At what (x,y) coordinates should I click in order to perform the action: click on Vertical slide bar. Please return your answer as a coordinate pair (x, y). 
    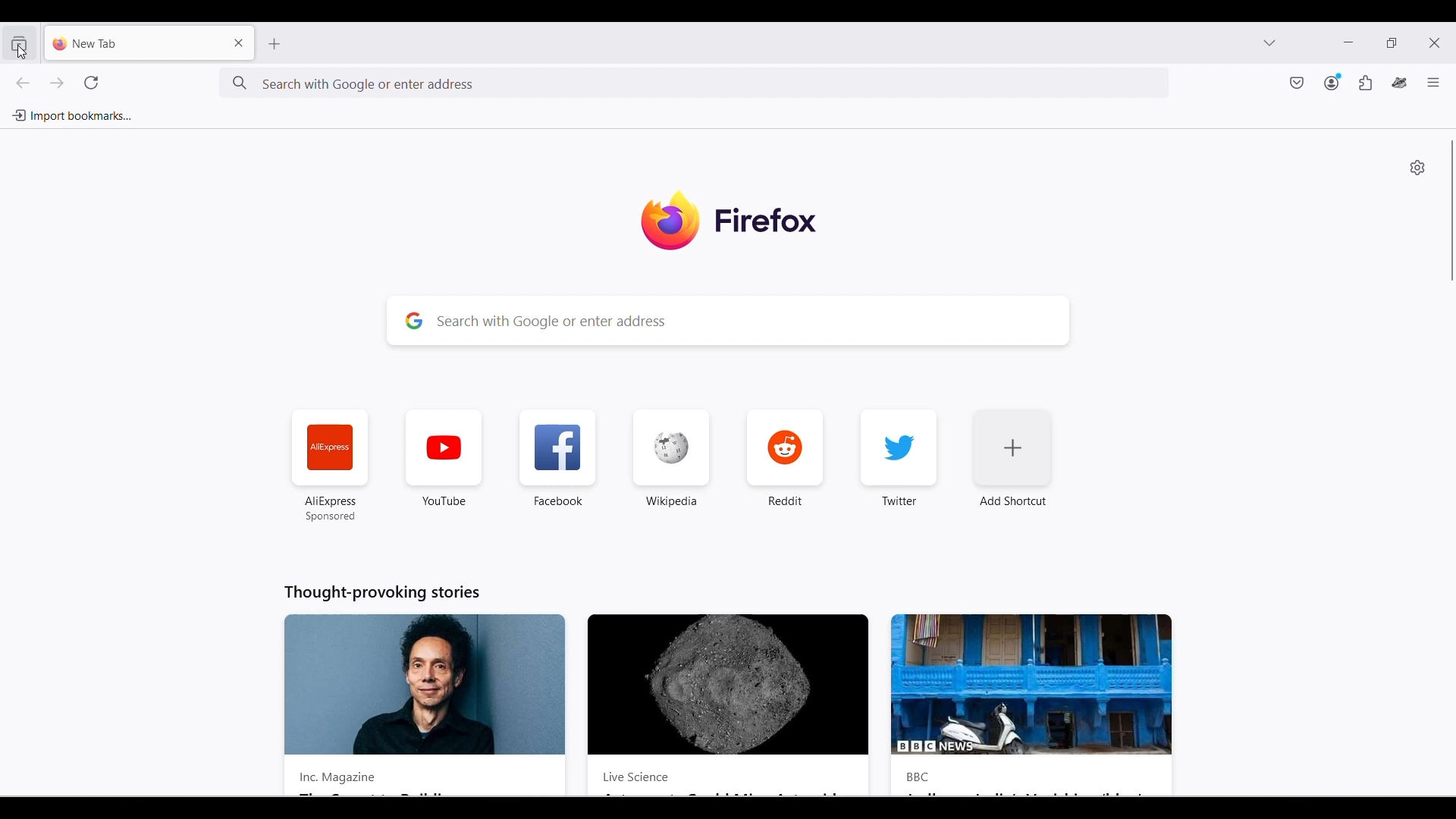
    Looking at the image, I should click on (1453, 212).